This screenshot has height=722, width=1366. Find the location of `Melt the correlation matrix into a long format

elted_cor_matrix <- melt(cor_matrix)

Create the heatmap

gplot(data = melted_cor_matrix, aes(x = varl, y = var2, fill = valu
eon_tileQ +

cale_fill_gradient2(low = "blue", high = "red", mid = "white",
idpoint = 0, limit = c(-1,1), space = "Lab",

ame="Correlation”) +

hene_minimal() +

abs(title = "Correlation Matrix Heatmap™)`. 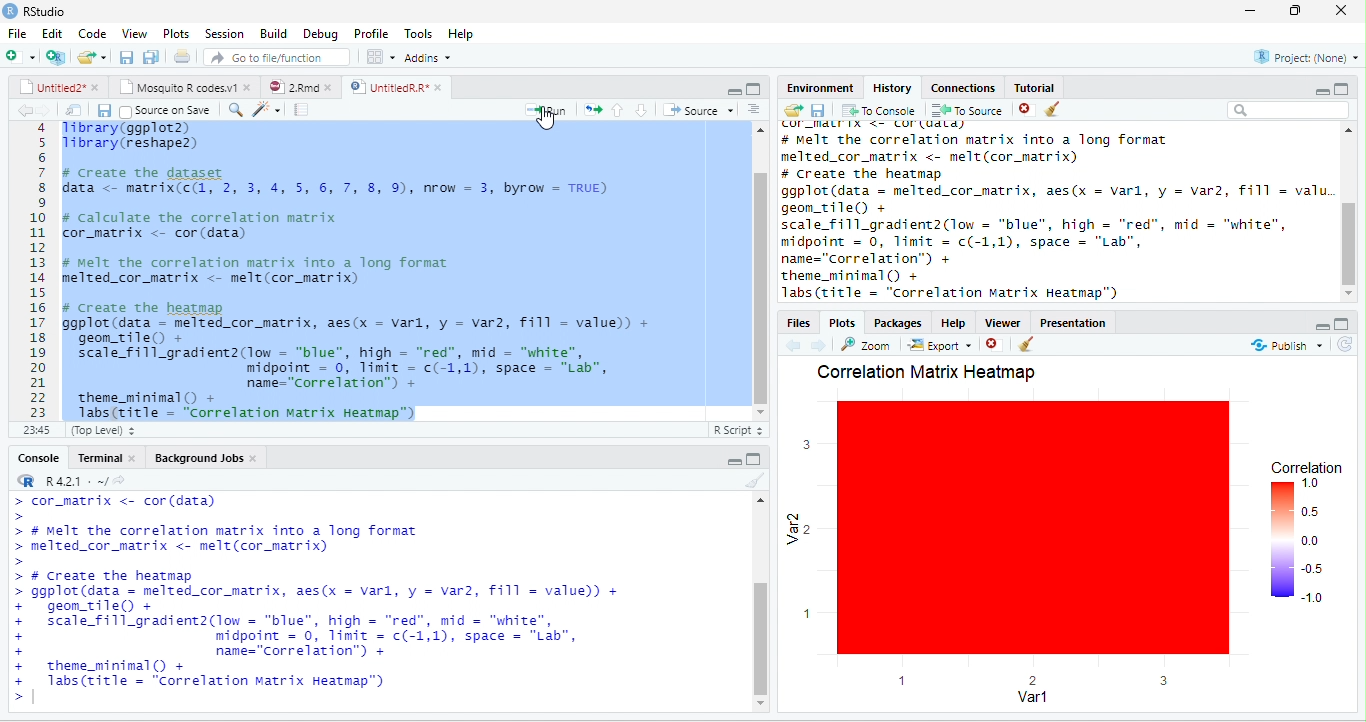

Melt the correlation matrix into a long format

elted_cor_matrix <- melt(cor_matrix)

Create the heatmap

gplot(data = melted_cor_matrix, aes(x = varl, y = var2, fill = valu
eon_tileQ +

cale_fill_gradient2(low = "blue", high = "red", mid = "white",
idpoint = 0, limit = c(-1,1), space = "Lab",

ame="Correlation”) +

hene_minimal() +

abs(title = "Correlation Matrix Heatmap™) is located at coordinates (1054, 211).